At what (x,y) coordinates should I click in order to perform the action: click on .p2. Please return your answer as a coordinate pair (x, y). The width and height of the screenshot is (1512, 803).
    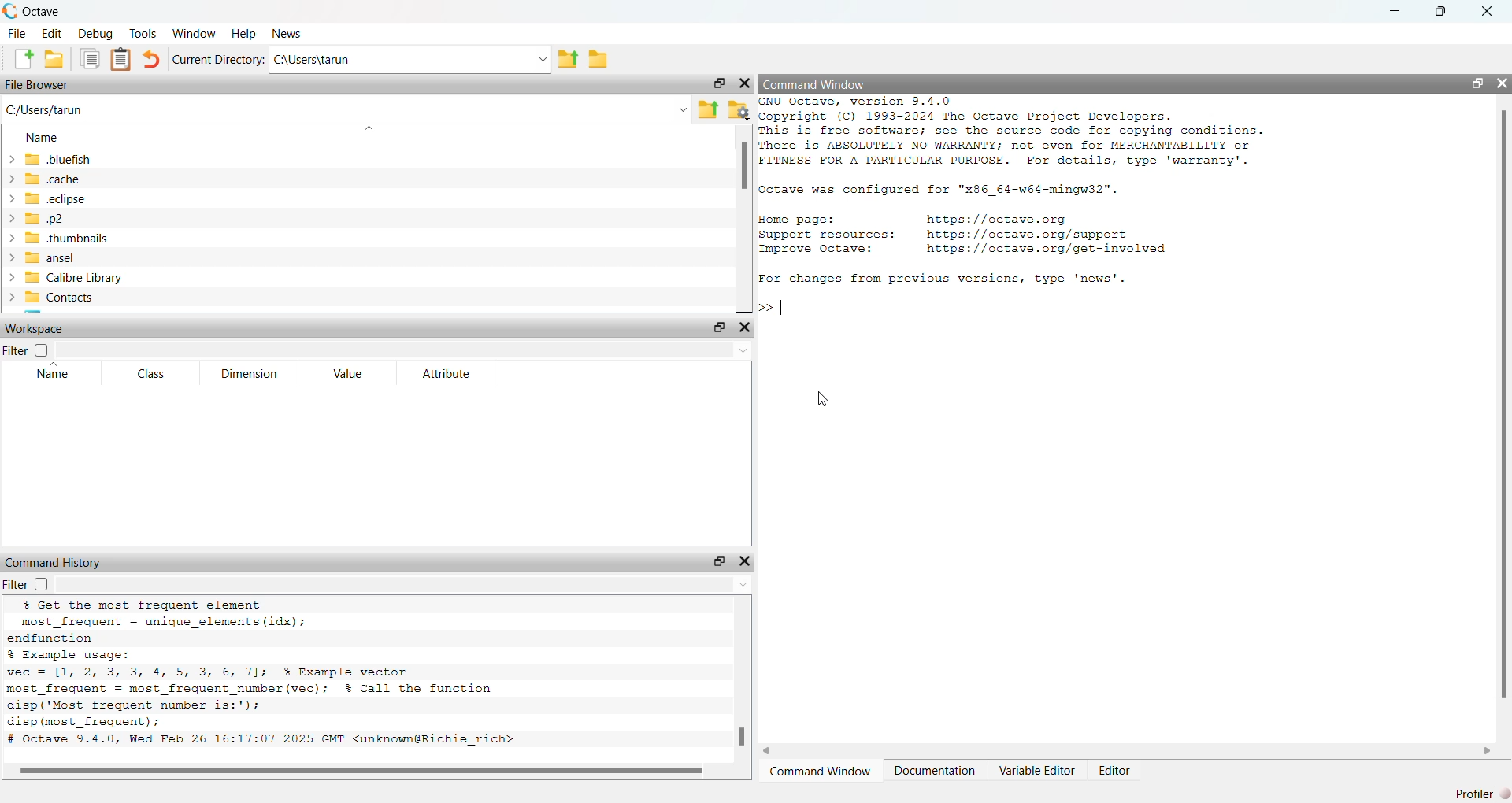
    Looking at the image, I should click on (45, 218).